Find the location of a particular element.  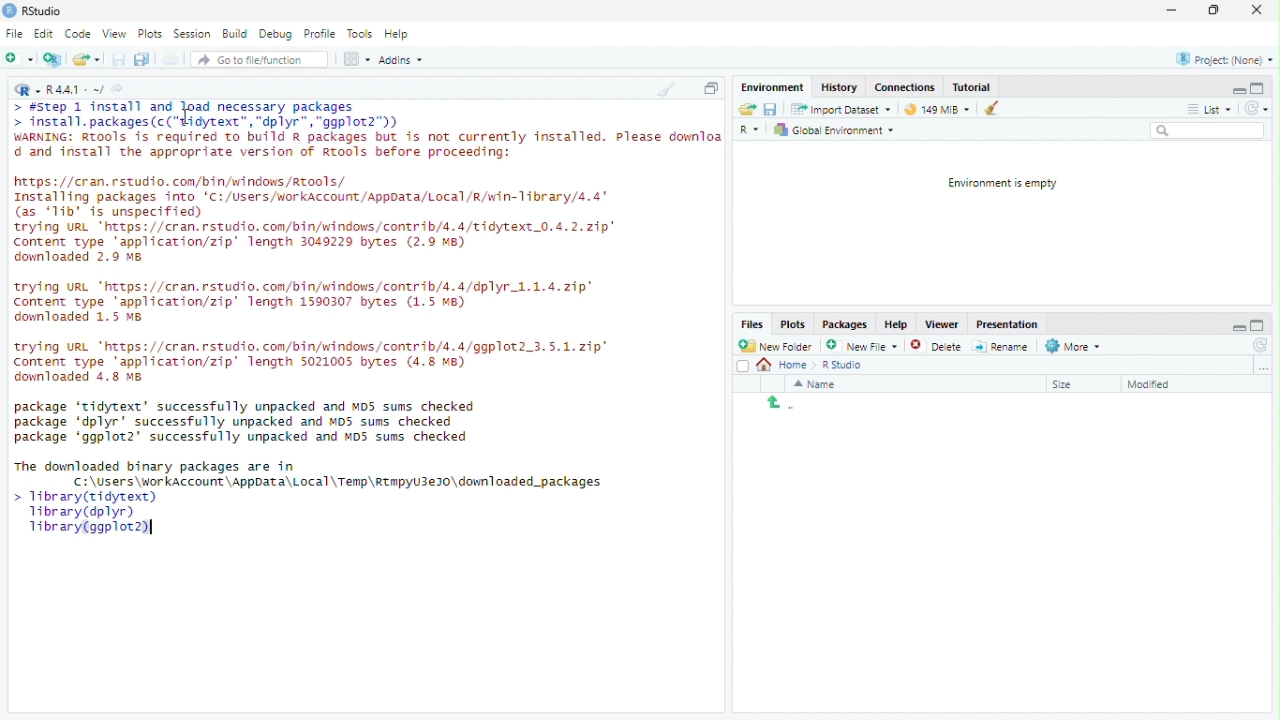

Open is located at coordinates (748, 109).